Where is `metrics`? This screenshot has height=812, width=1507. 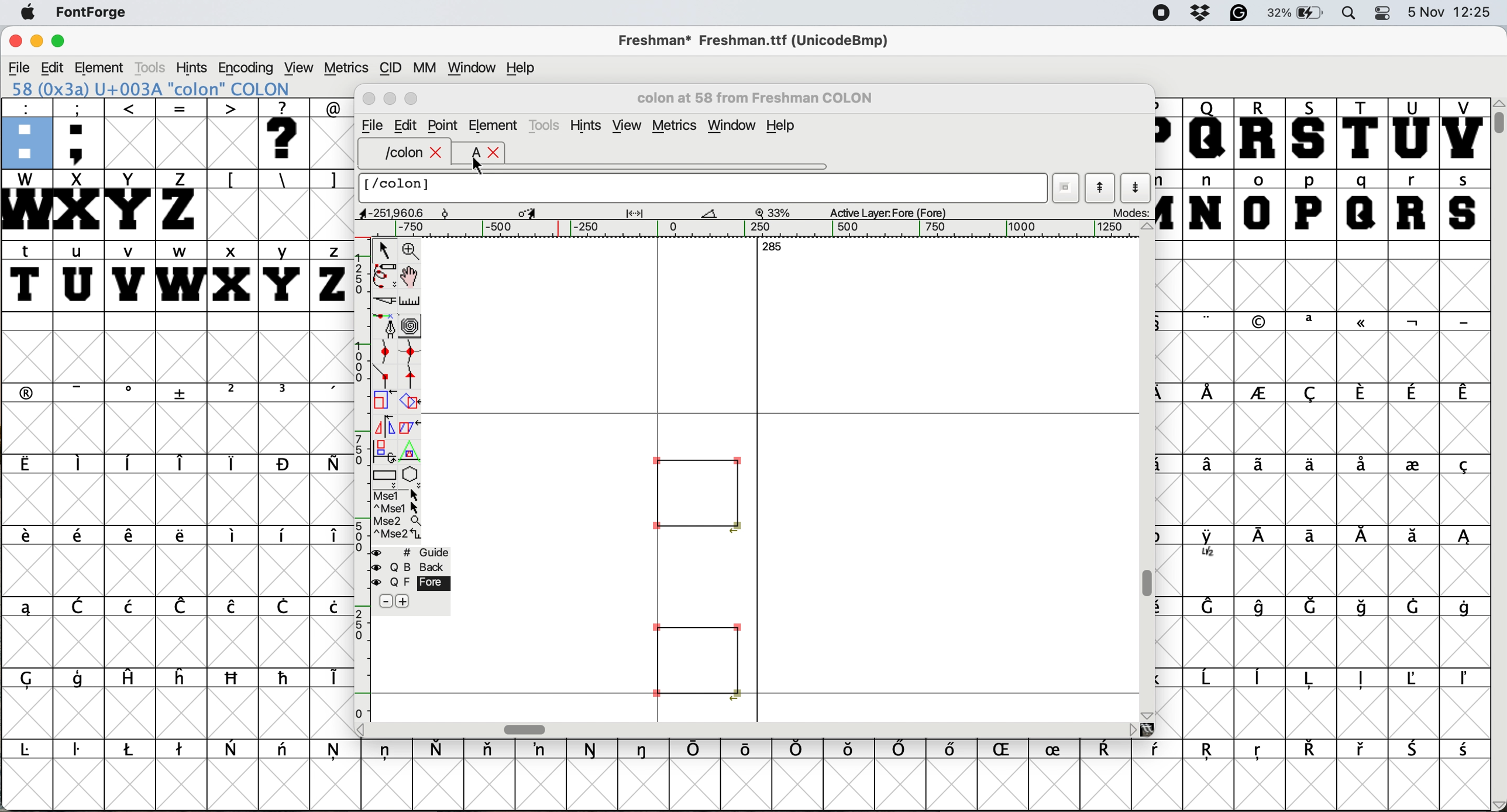
metrics is located at coordinates (345, 67).